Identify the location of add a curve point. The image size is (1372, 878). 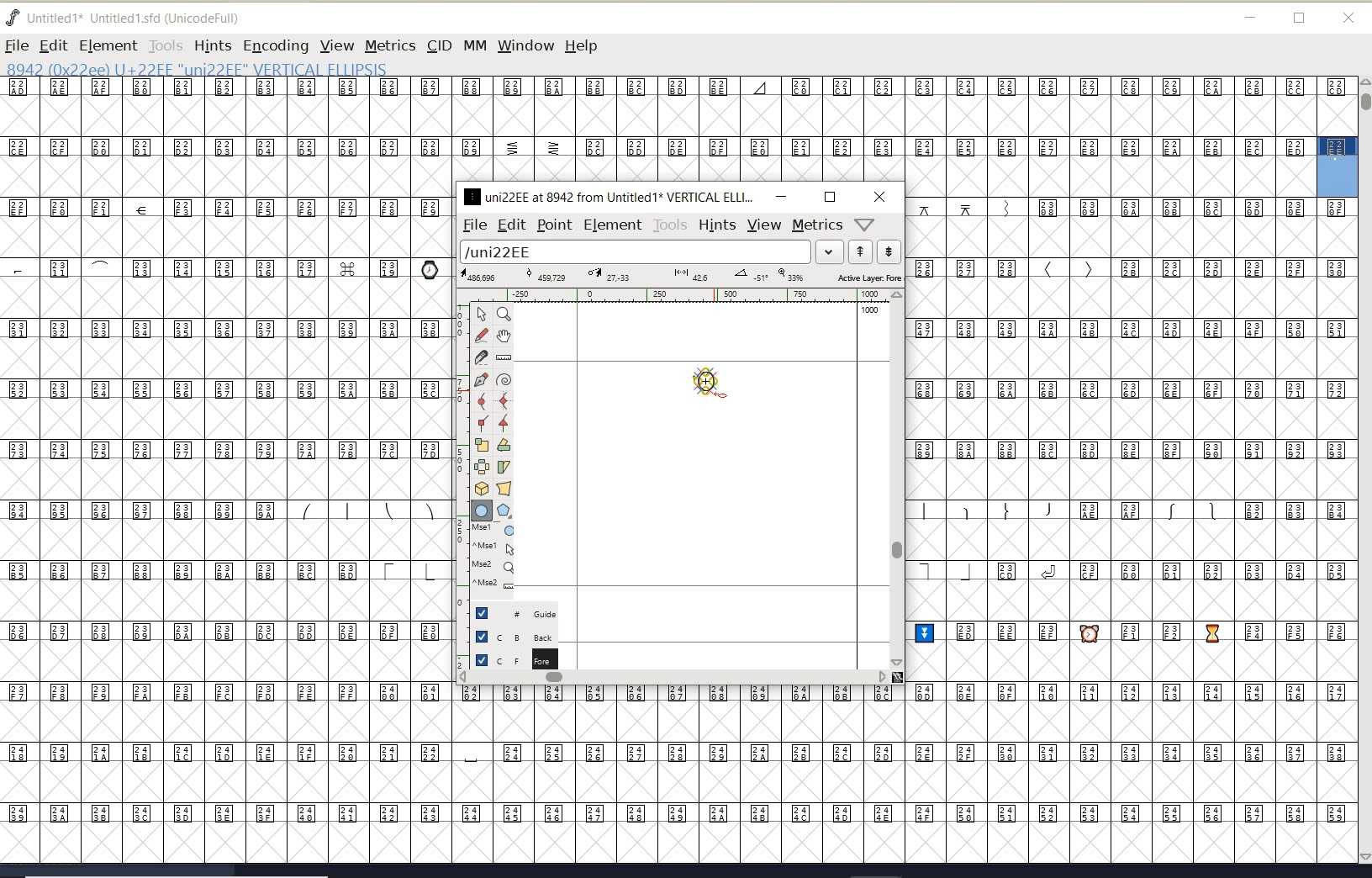
(485, 401).